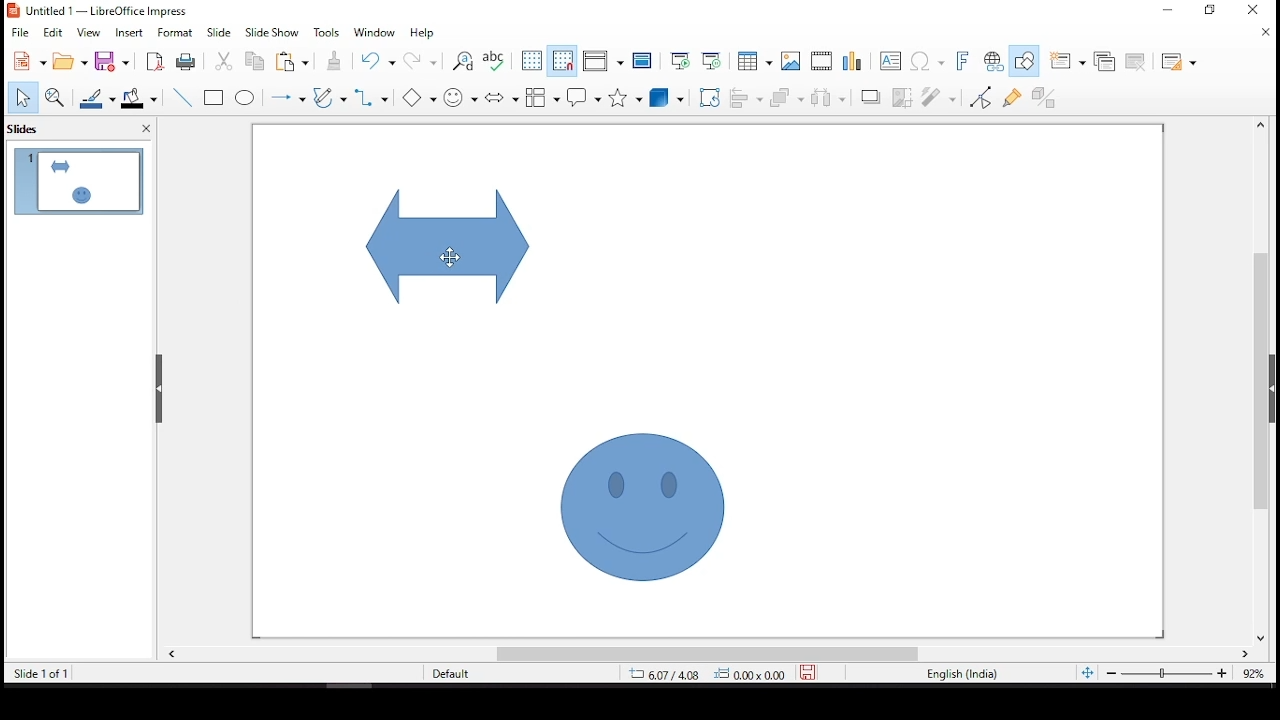 The height and width of the screenshot is (720, 1280). I want to click on crop image, so click(898, 96).